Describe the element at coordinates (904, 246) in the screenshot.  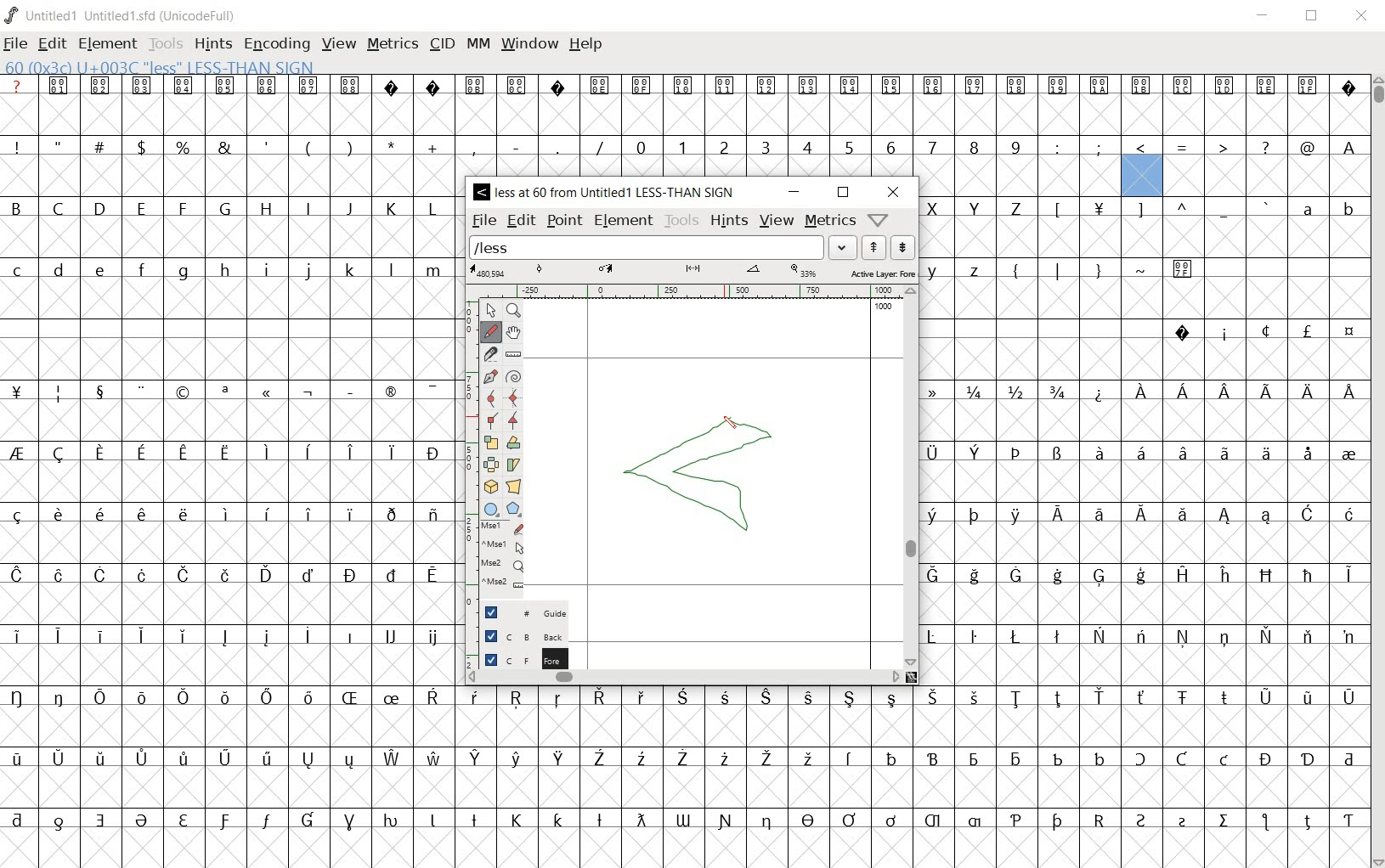
I see `show the previous word on the list` at that location.